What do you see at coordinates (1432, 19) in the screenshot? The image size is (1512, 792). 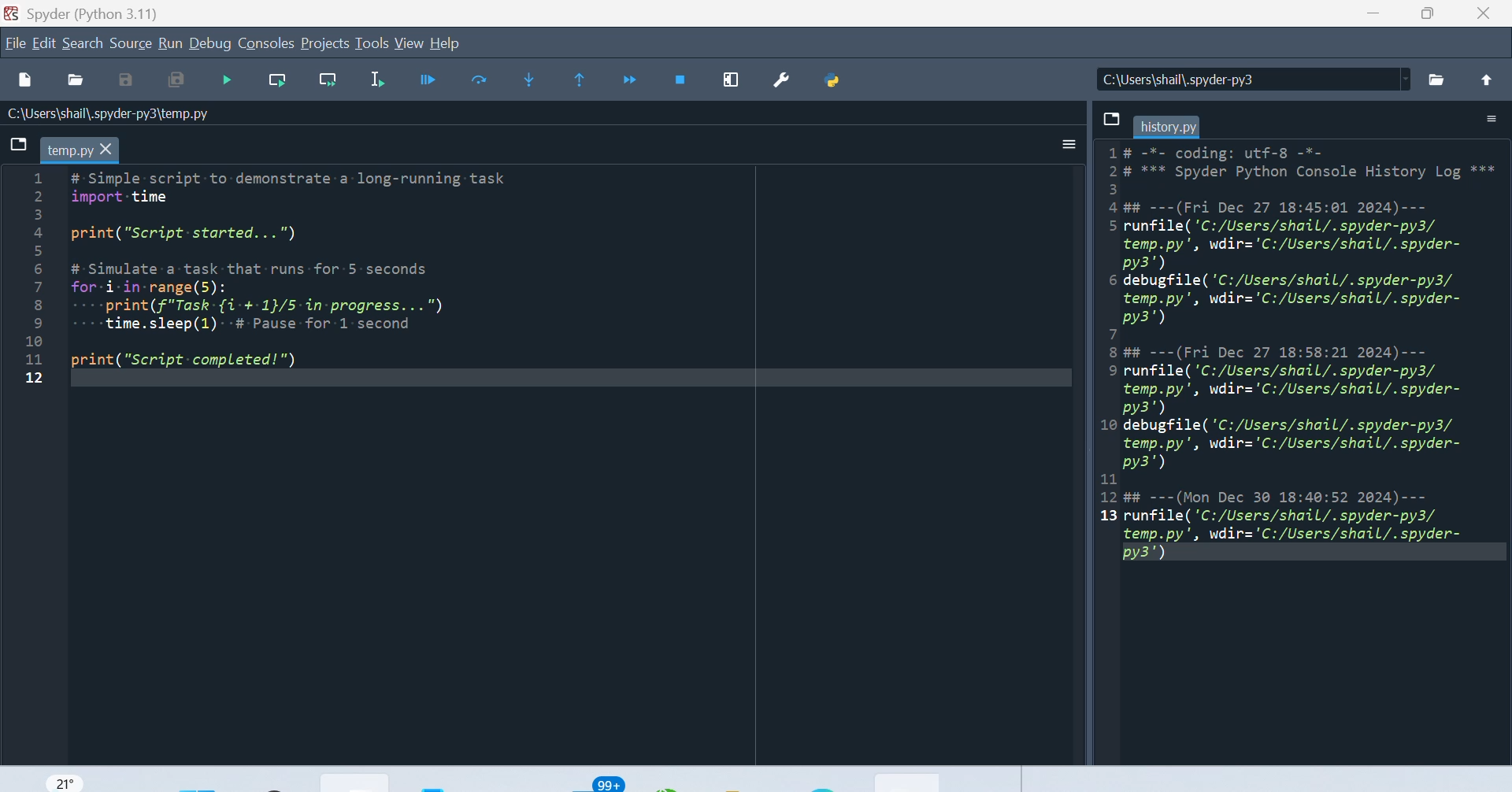 I see `Maximize` at bounding box center [1432, 19].